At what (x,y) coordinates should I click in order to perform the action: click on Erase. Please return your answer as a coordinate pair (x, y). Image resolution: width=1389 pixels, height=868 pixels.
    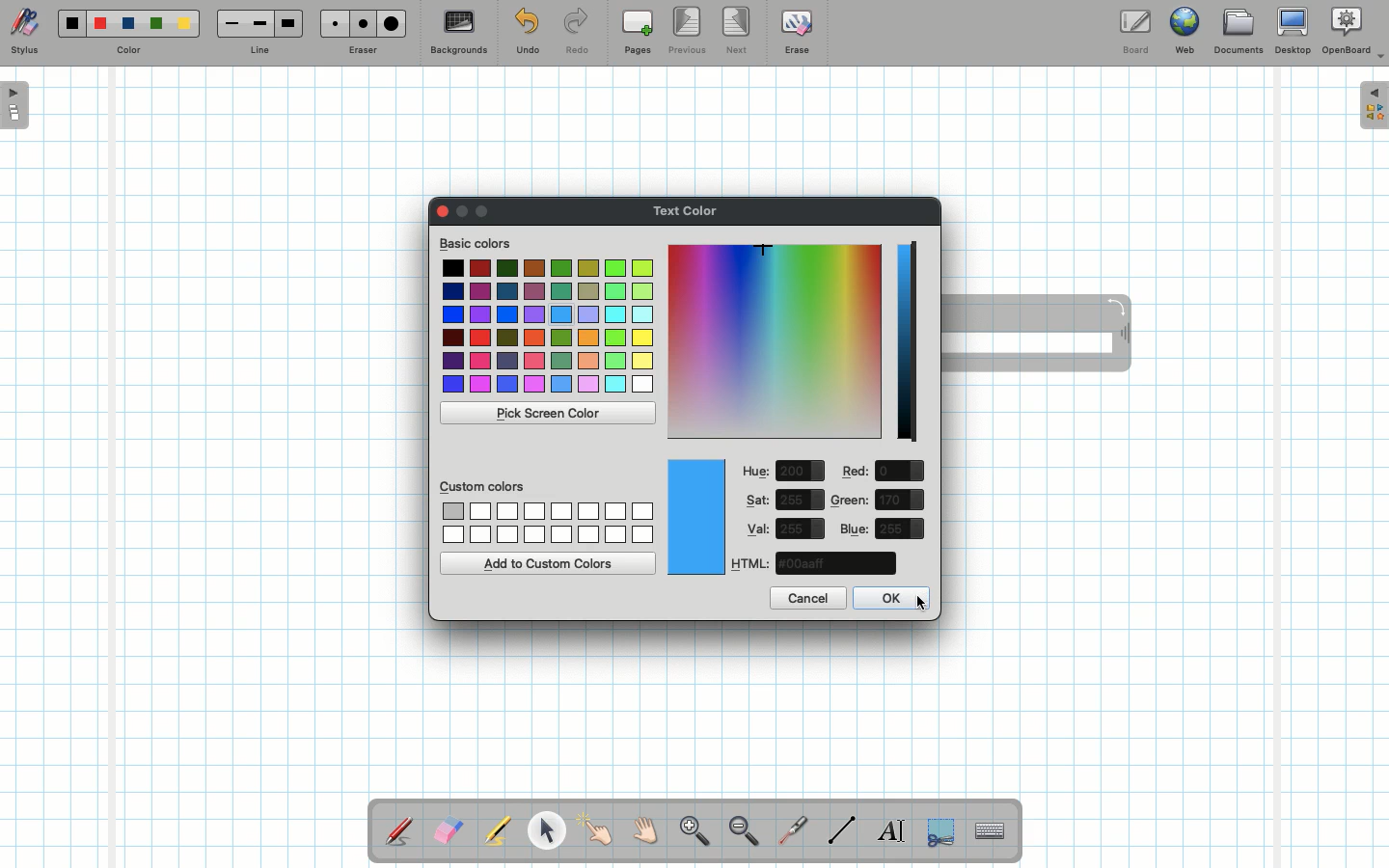
    Looking at the image, I should click on (796, 31).